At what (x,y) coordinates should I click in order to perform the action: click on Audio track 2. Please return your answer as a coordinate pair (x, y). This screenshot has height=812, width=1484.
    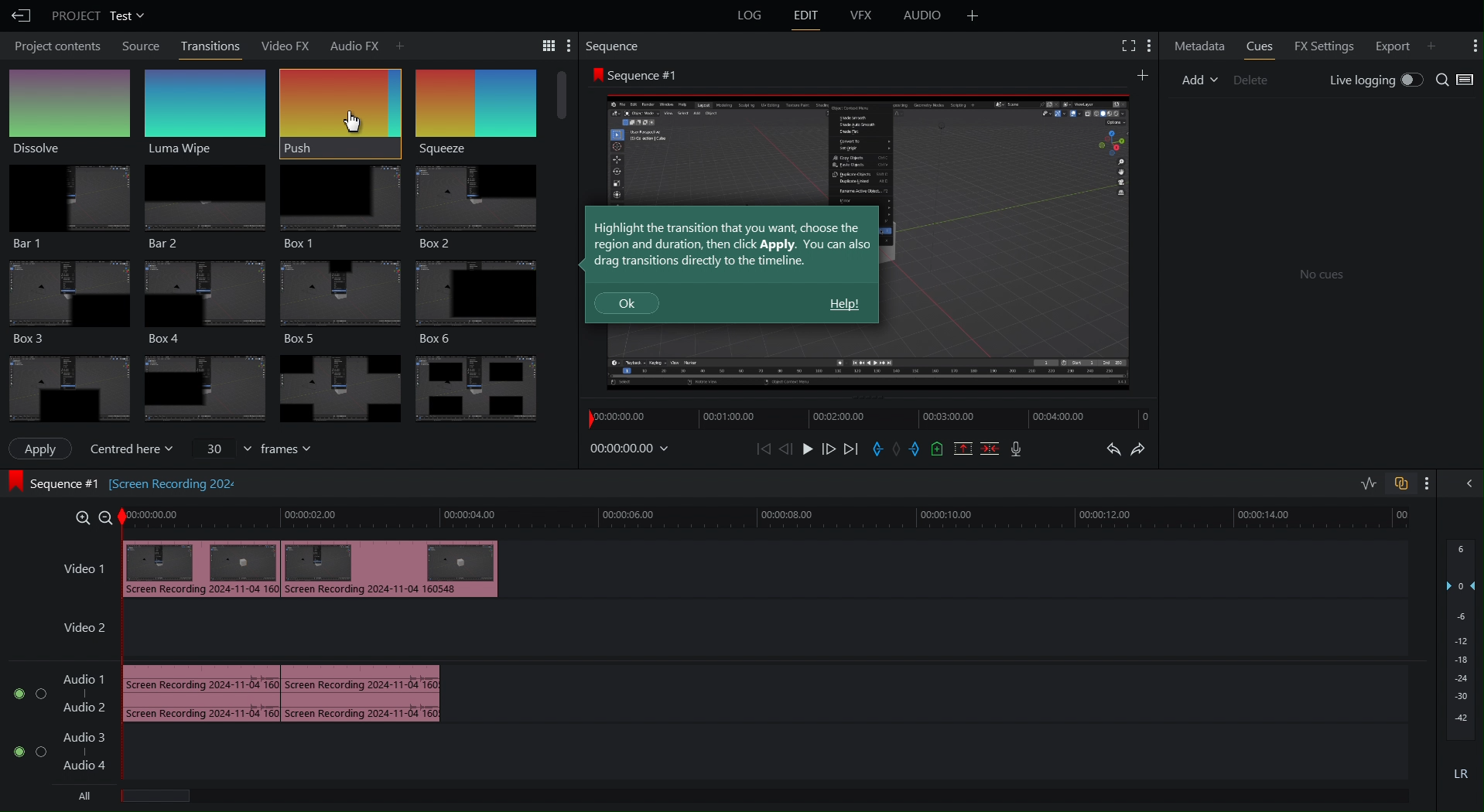
    Looking at the image, I should click on (84, 707).